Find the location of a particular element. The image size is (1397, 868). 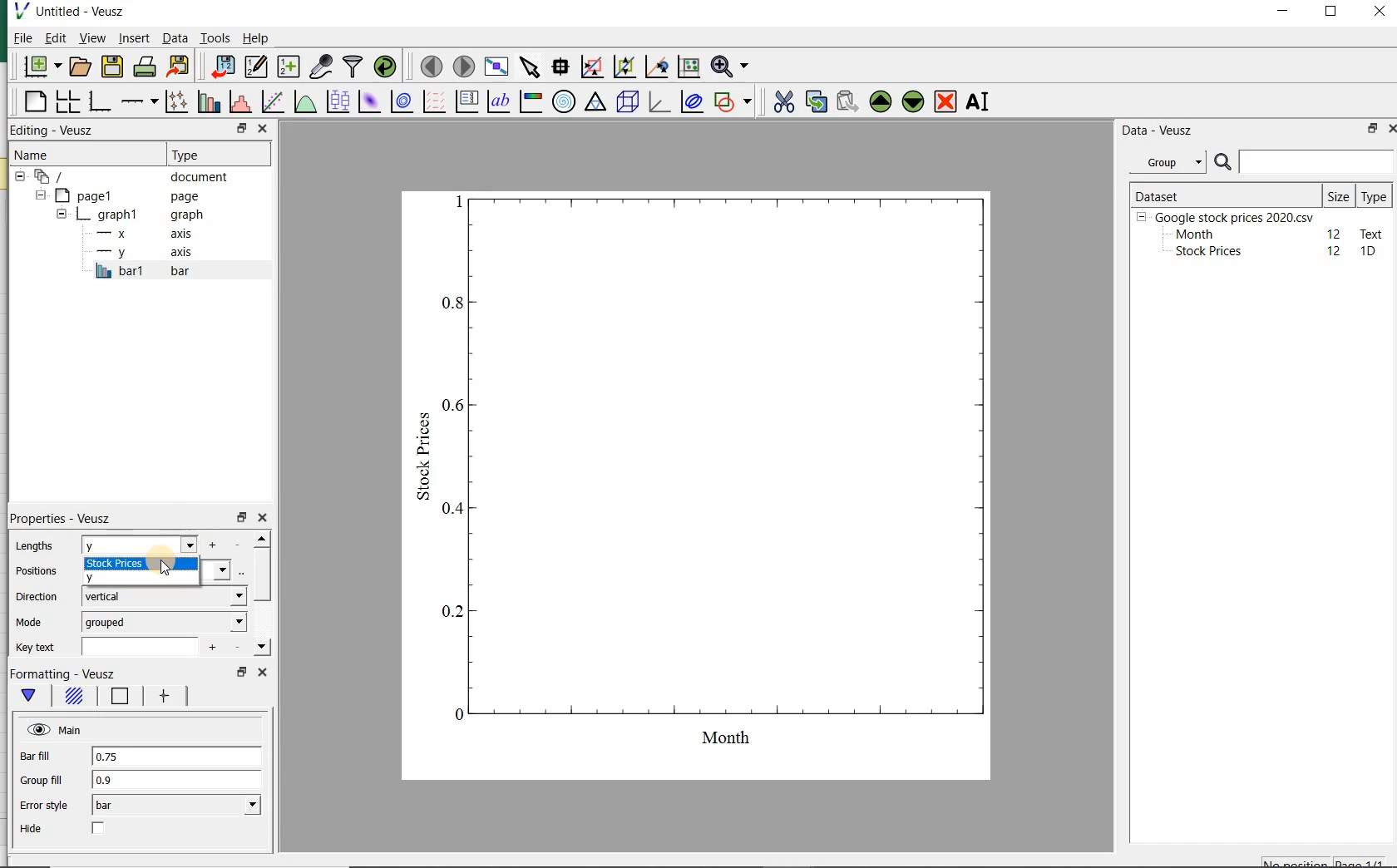

plot key is located at coordinates (466, 103).